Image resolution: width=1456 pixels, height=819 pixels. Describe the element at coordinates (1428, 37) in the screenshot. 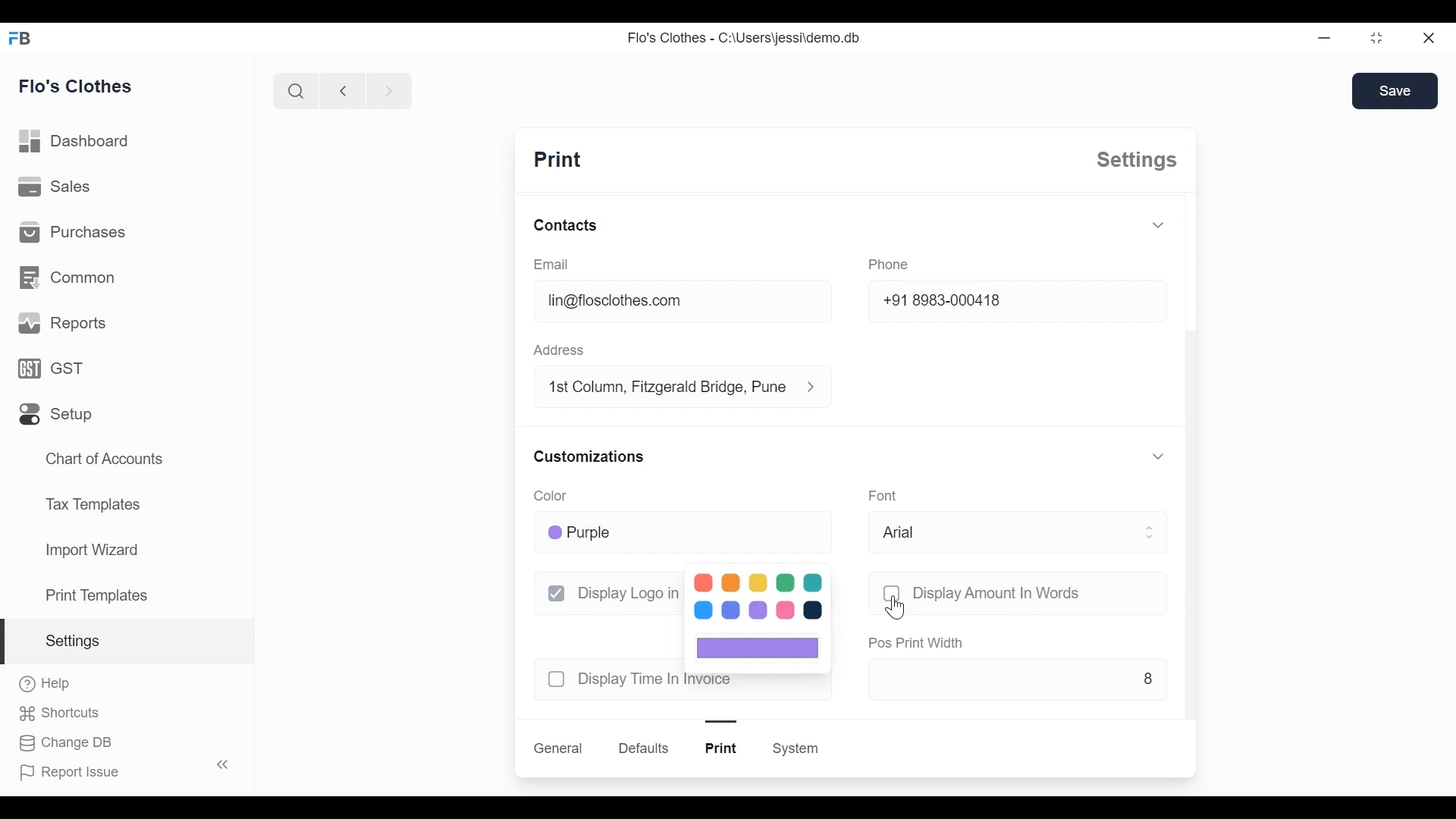

I see `close` at that location.